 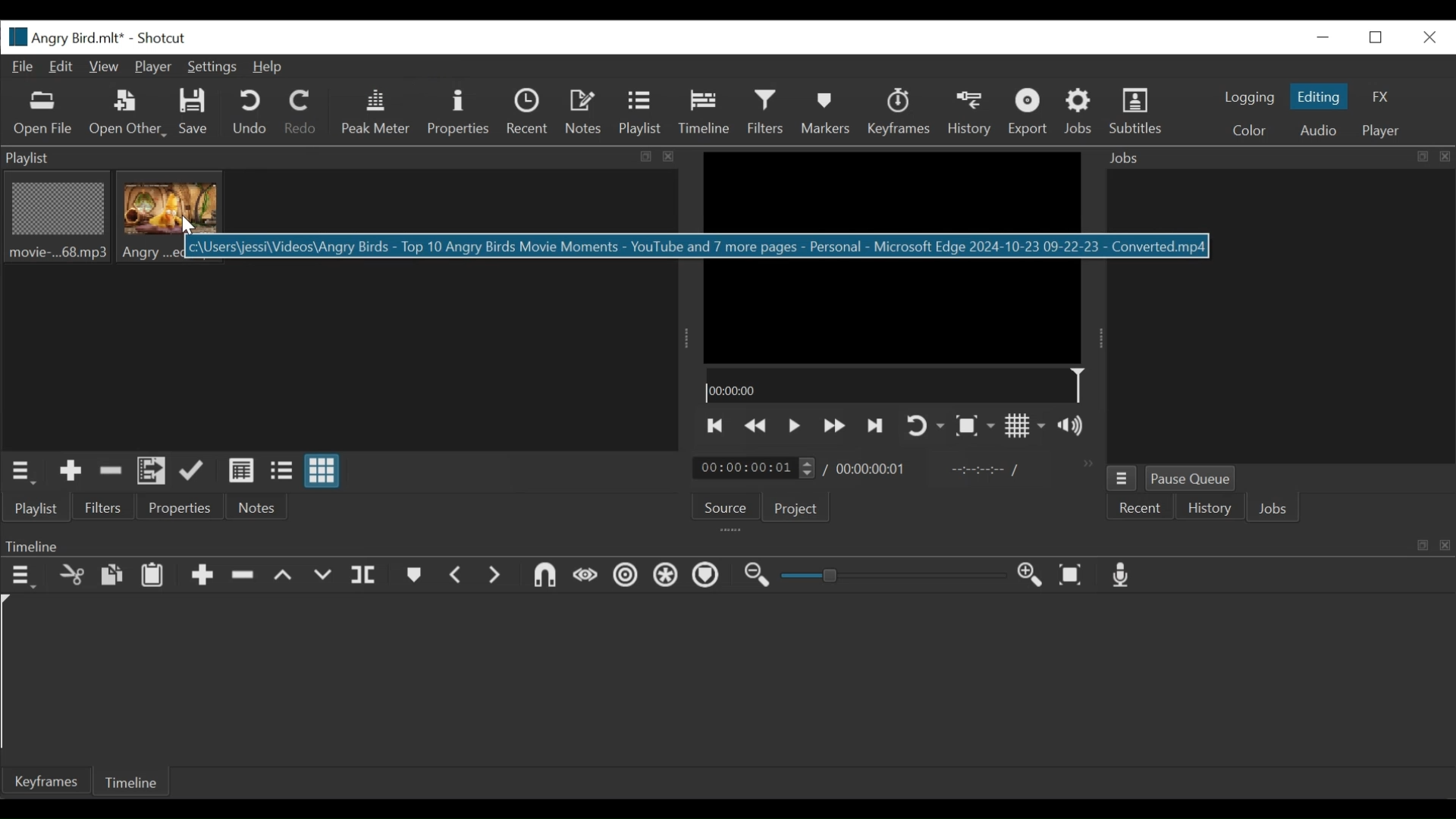 I want to click on File, so click(x=24, y=67).